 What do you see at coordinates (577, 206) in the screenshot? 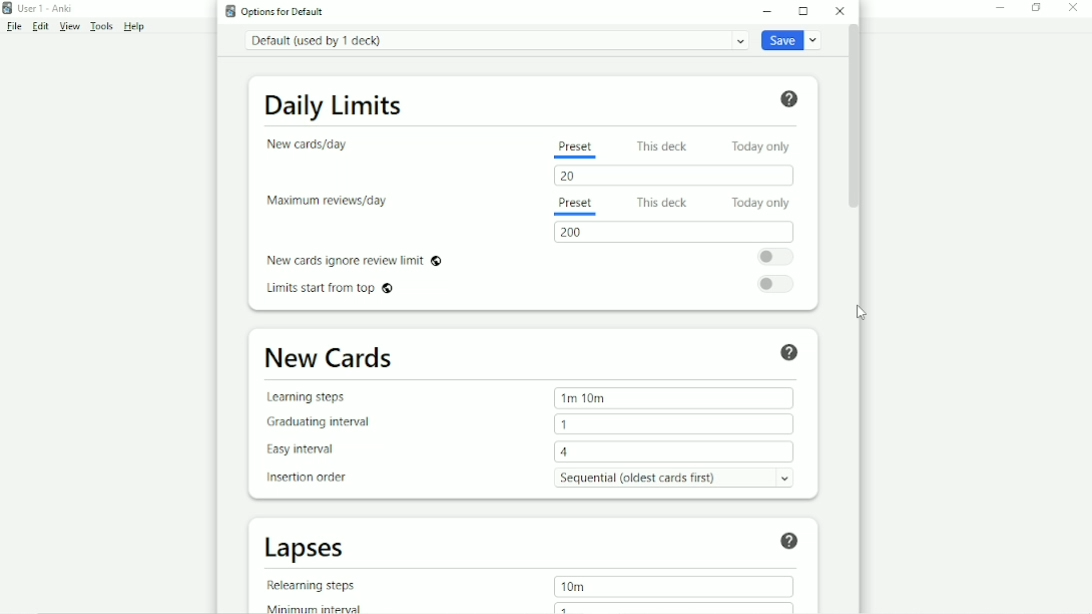
I see `Preset` at bounding box center [577, 206].